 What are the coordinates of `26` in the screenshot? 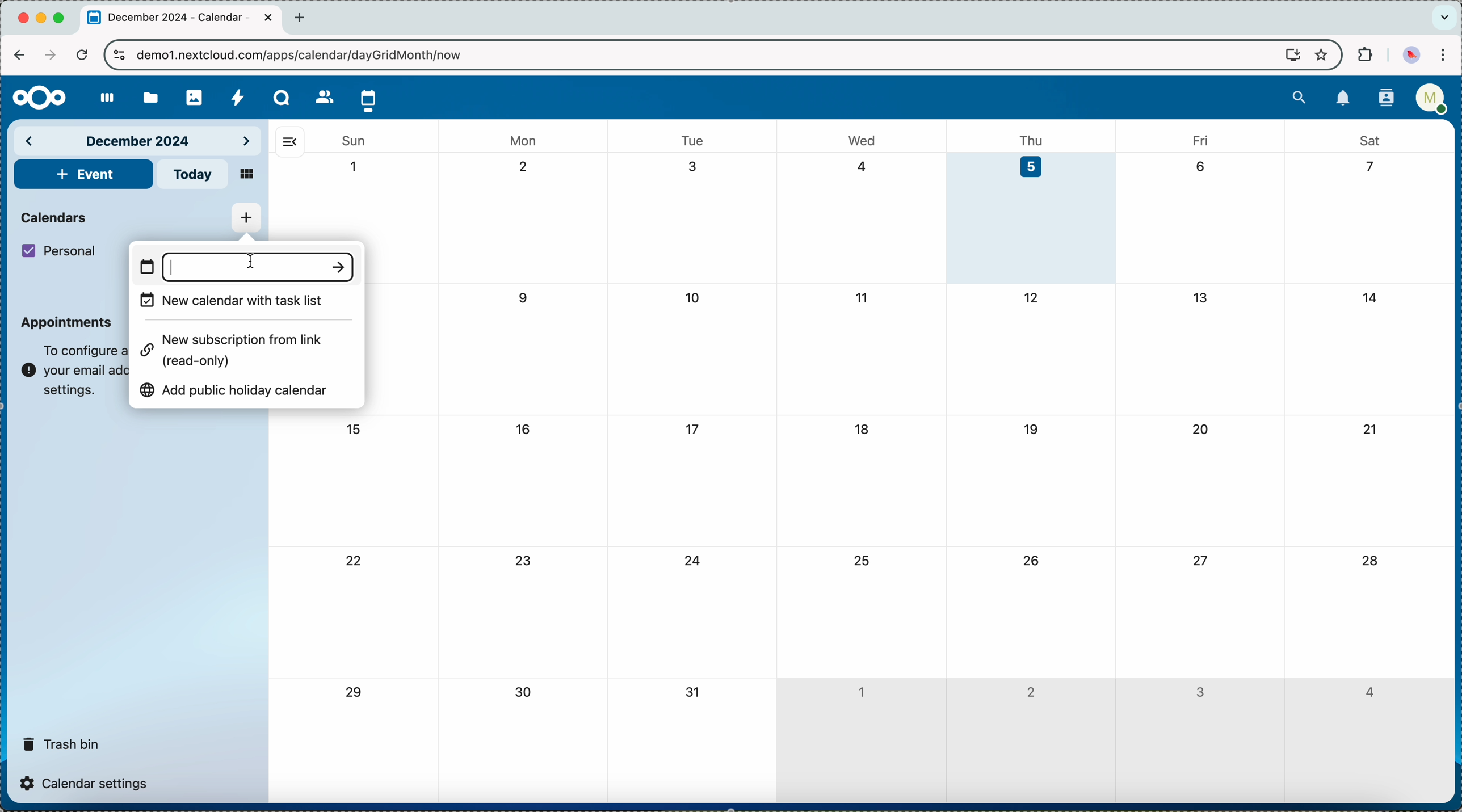 It's located at (1032, 559).